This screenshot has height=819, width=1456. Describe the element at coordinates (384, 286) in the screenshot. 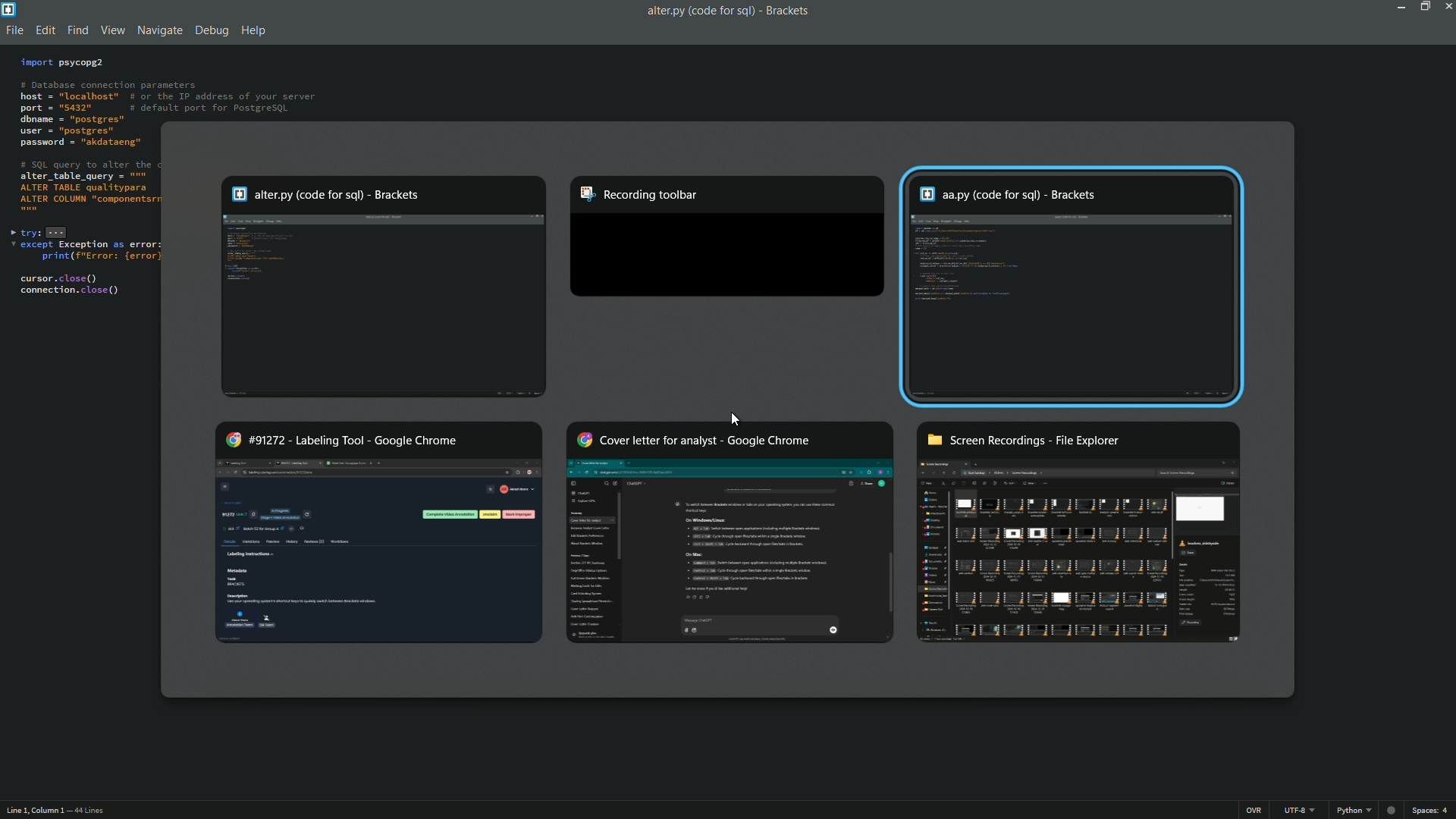

I see `alter.py (code for sq()- Brackets window` at that location.